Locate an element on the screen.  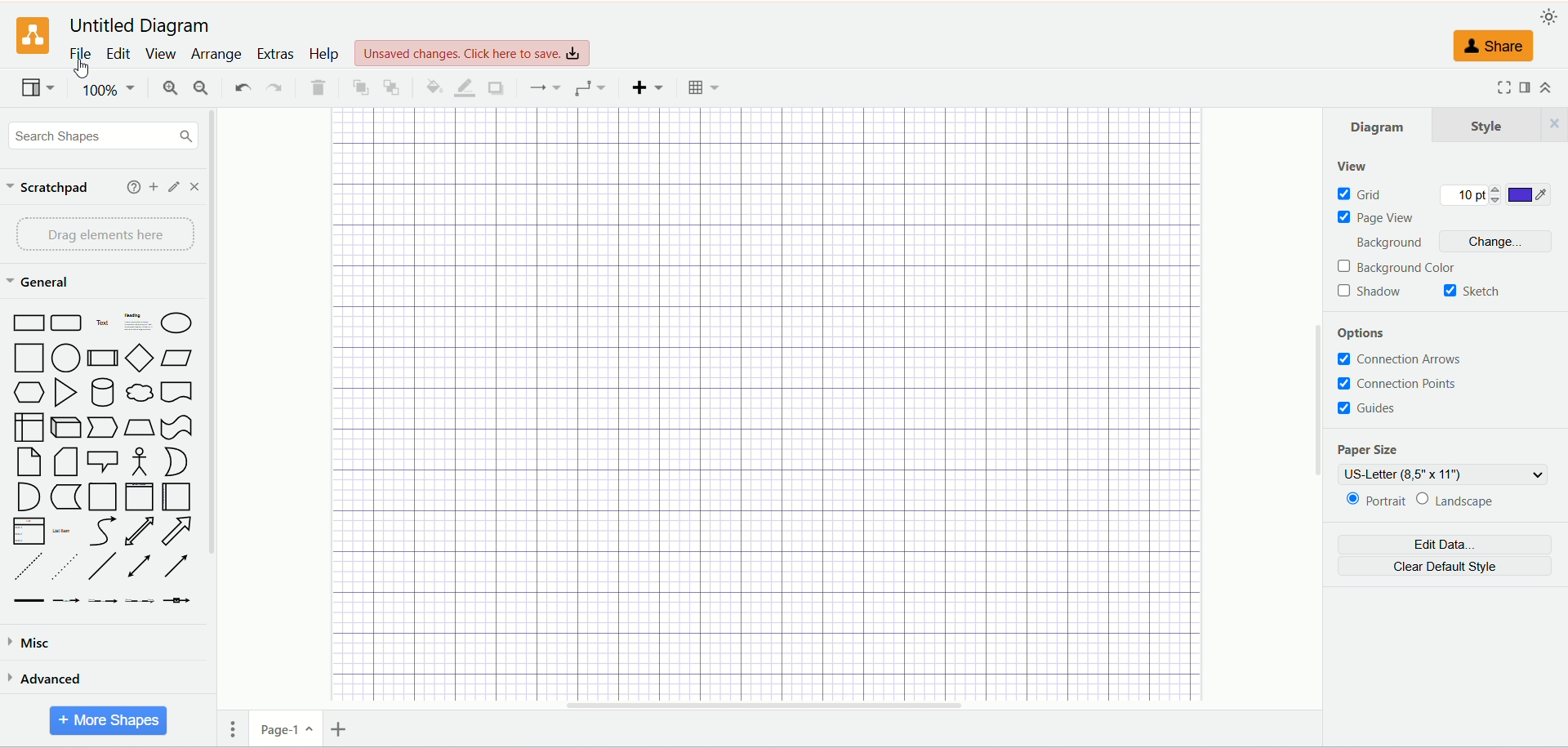
collapse/expand is located at coordinates (1552, 89).